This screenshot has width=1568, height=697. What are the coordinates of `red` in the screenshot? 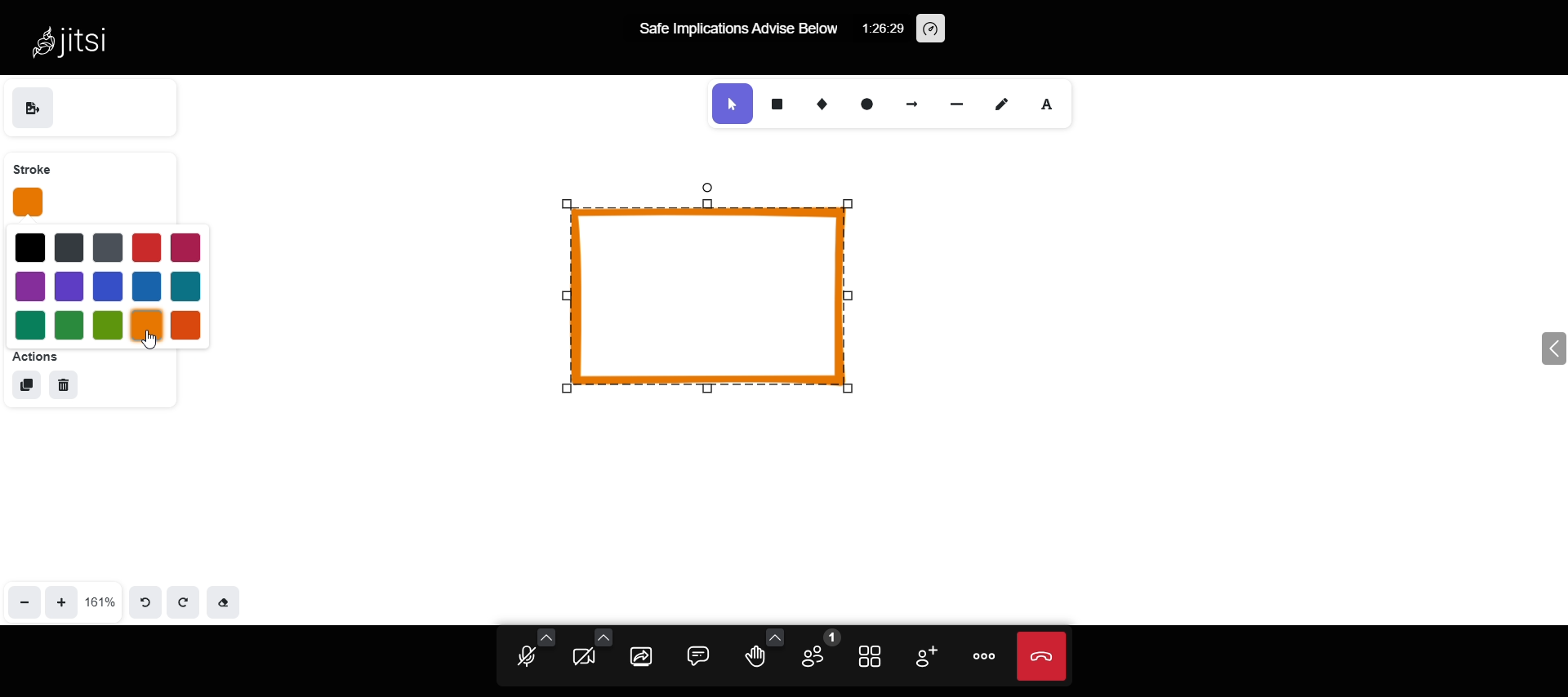 It's located at (146, 247).